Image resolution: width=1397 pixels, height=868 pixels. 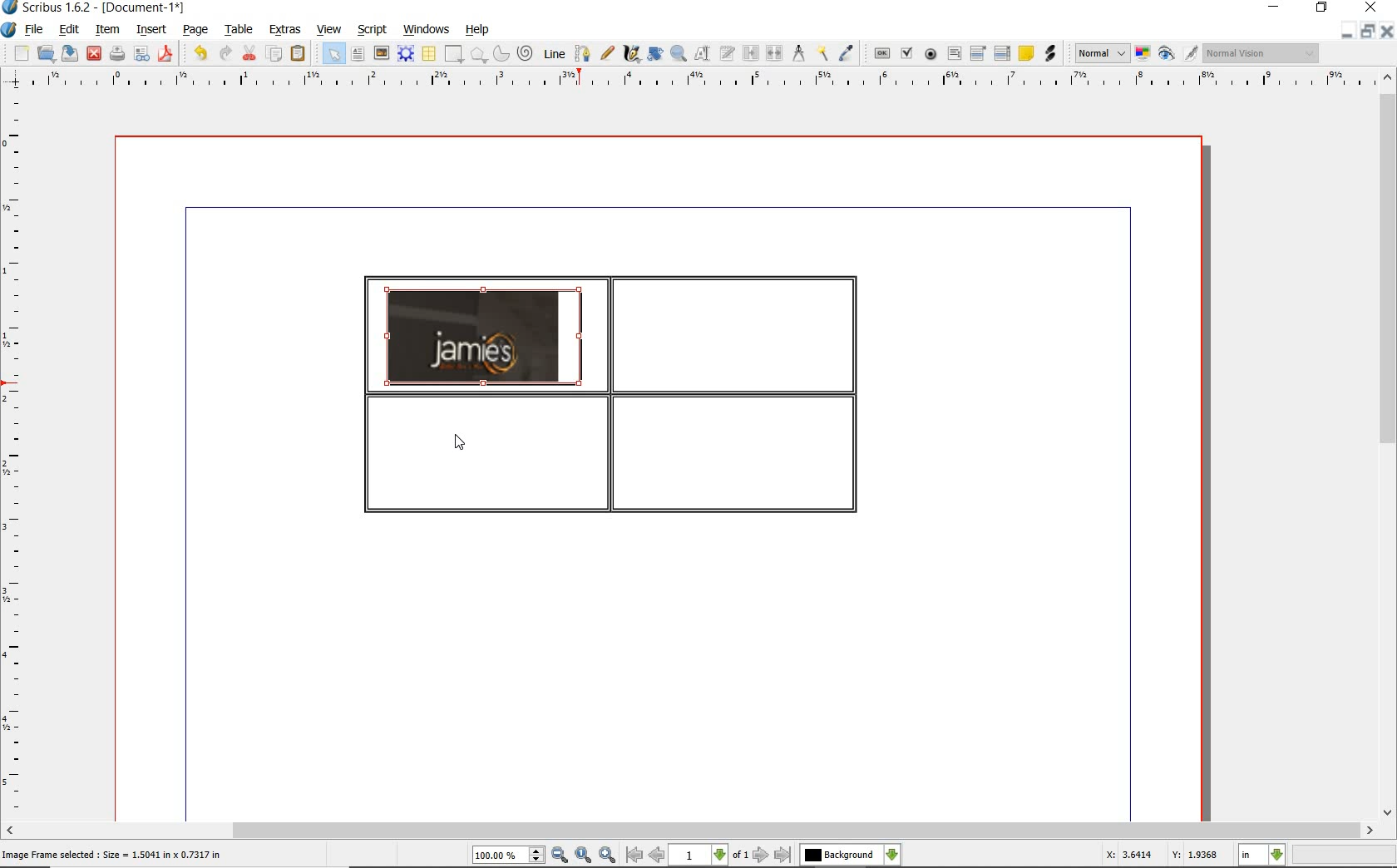 I want to click on close, so click(x=93, y=52).